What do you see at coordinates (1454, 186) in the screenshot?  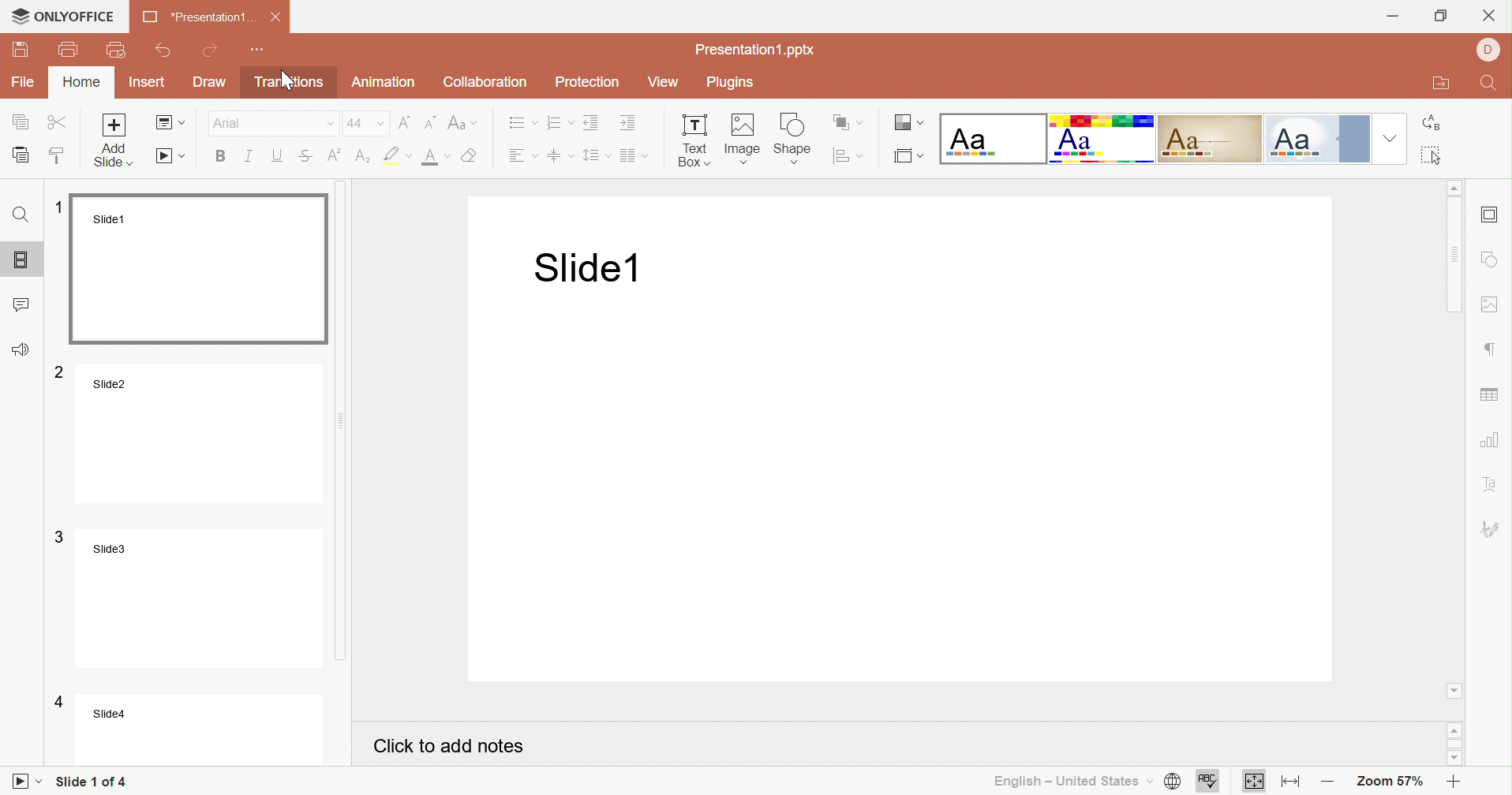 I see `Scroll up` at bounding box center [1454, 186].